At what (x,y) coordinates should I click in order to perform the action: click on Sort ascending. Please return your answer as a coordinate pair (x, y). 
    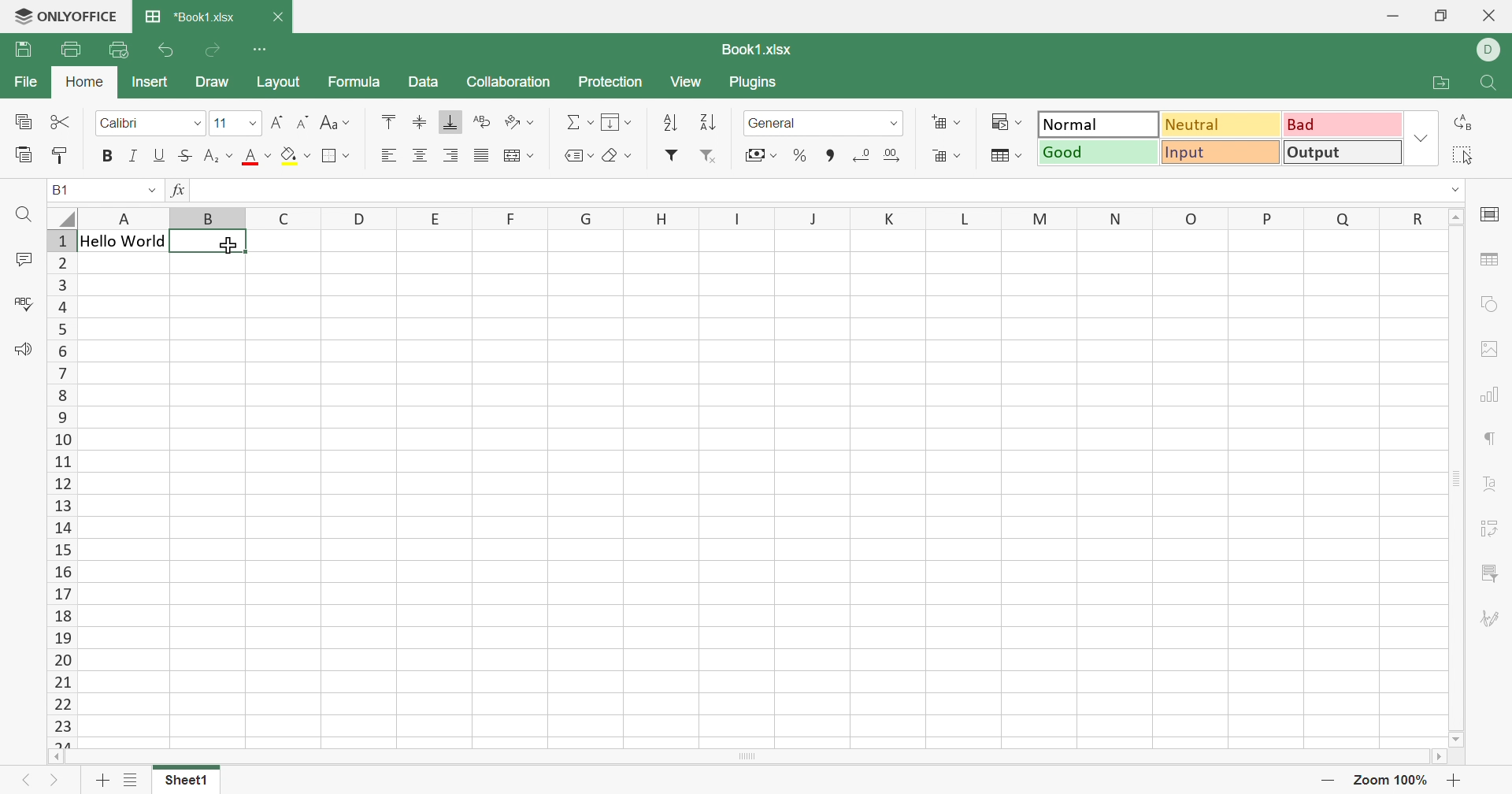
    Looking at the image, I should click on (670, 121).